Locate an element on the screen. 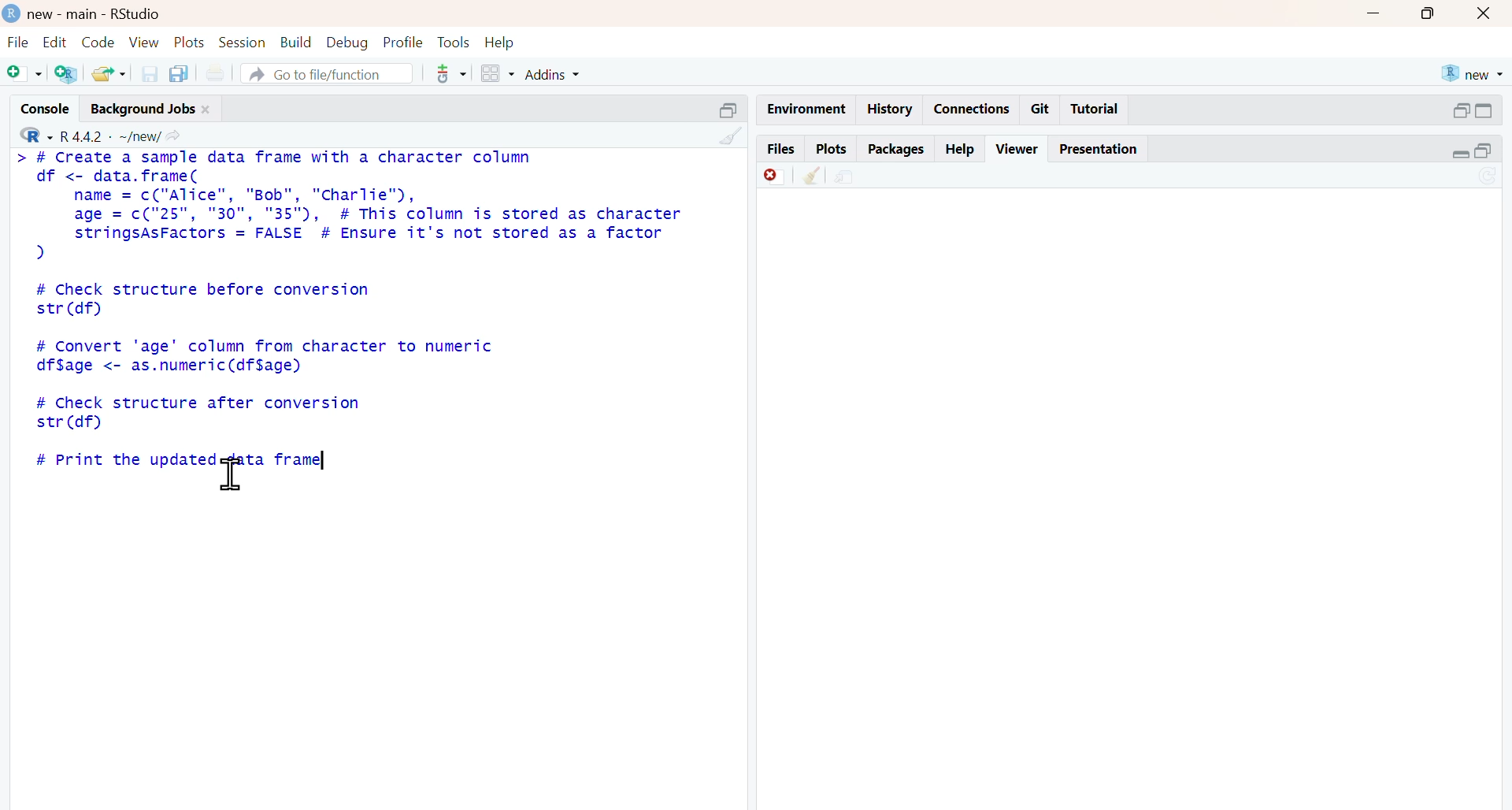 Image resolution: width=1512 pixels, height=810 pixels.  is located at coordinates (730, 111).